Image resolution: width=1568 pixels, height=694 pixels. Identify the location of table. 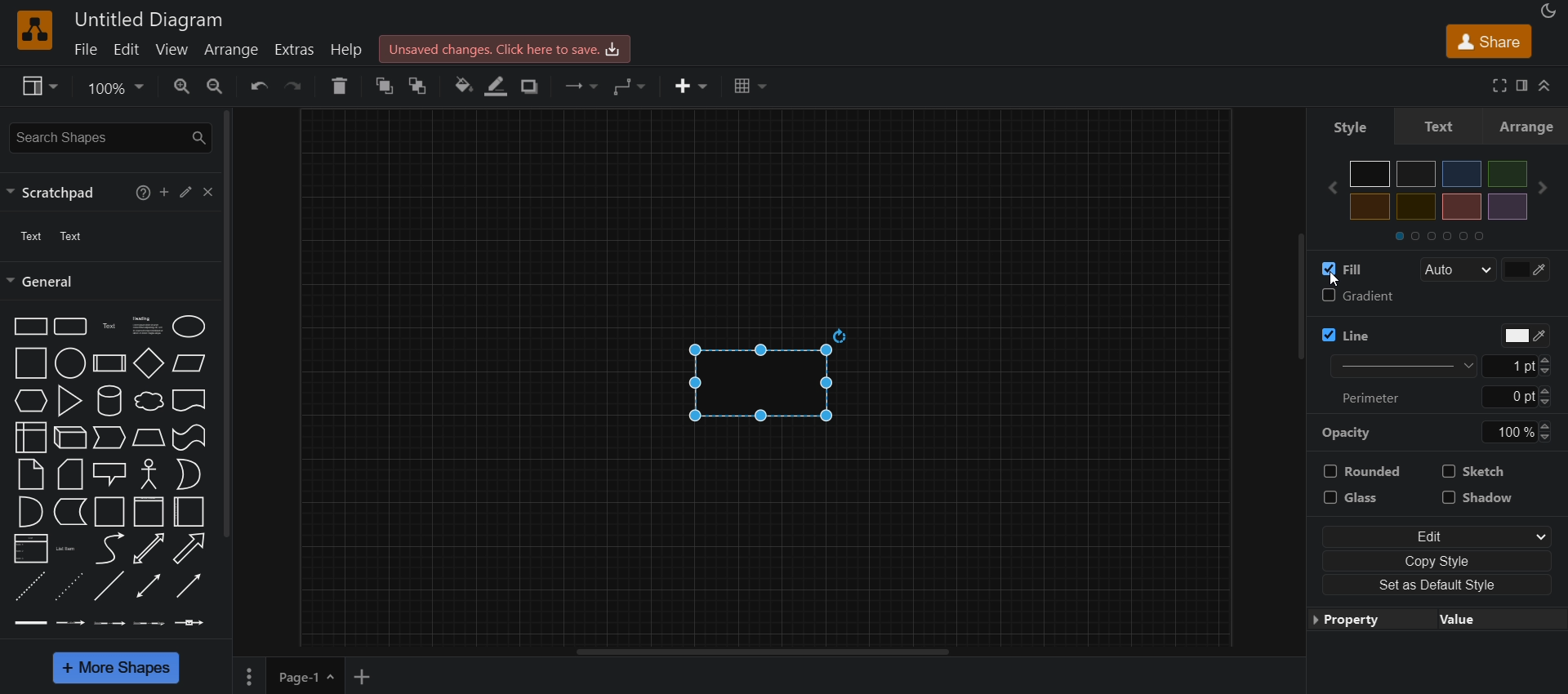
(752, 85).